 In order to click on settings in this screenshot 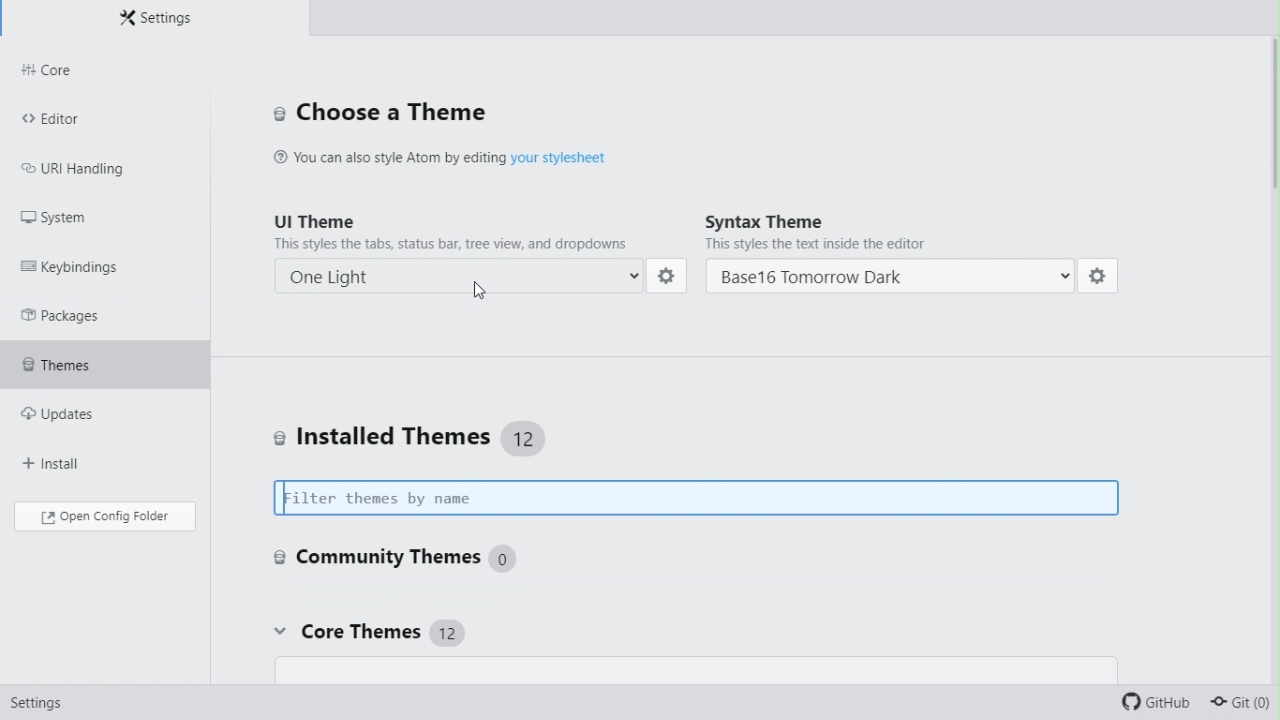, I will do `click(669, 277)`.